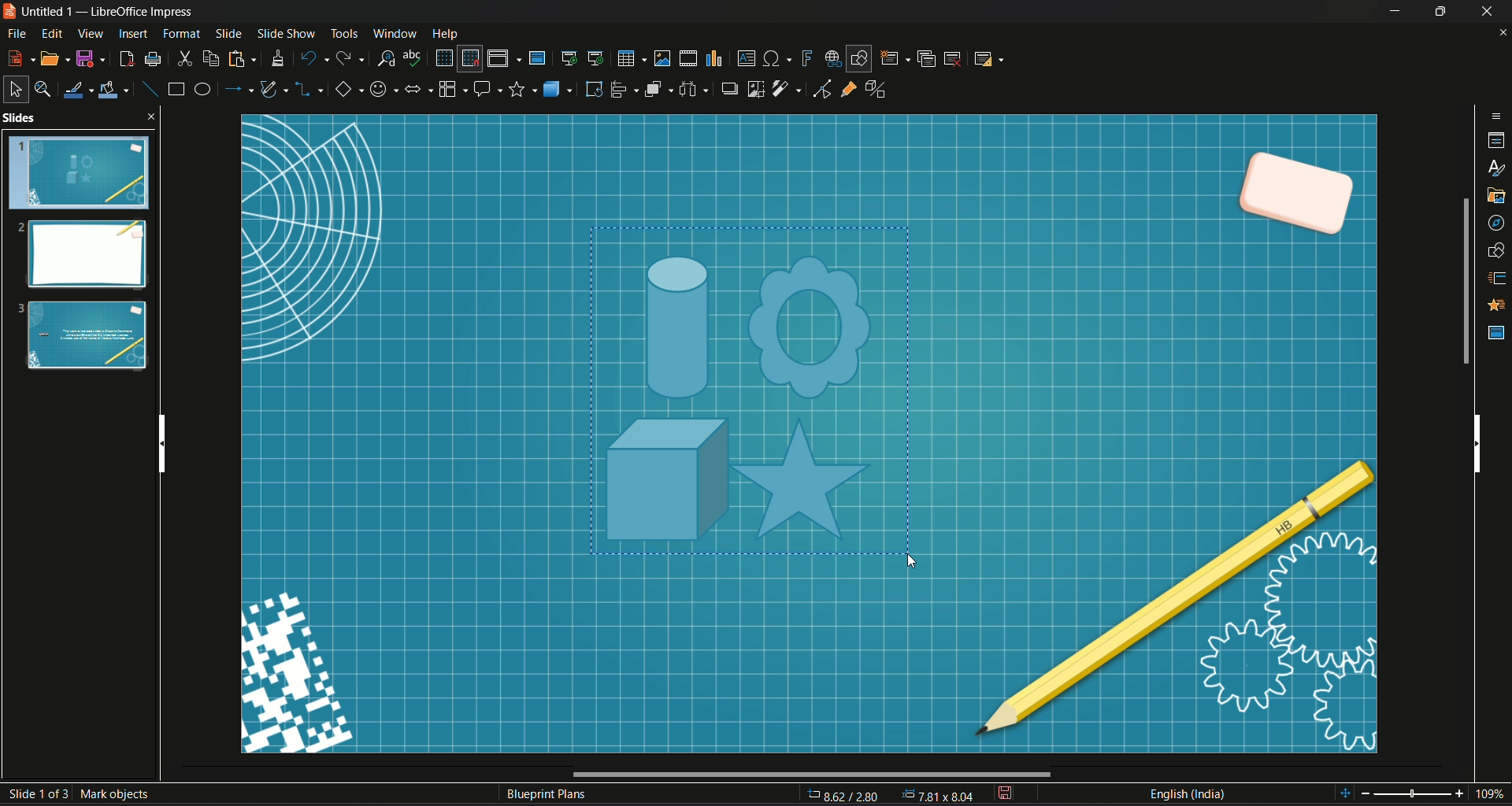 The width and height of the screenshot is (1512, 806). Describe the element at coordinates (20, 57) in the screenshot. I see `new` at that location.